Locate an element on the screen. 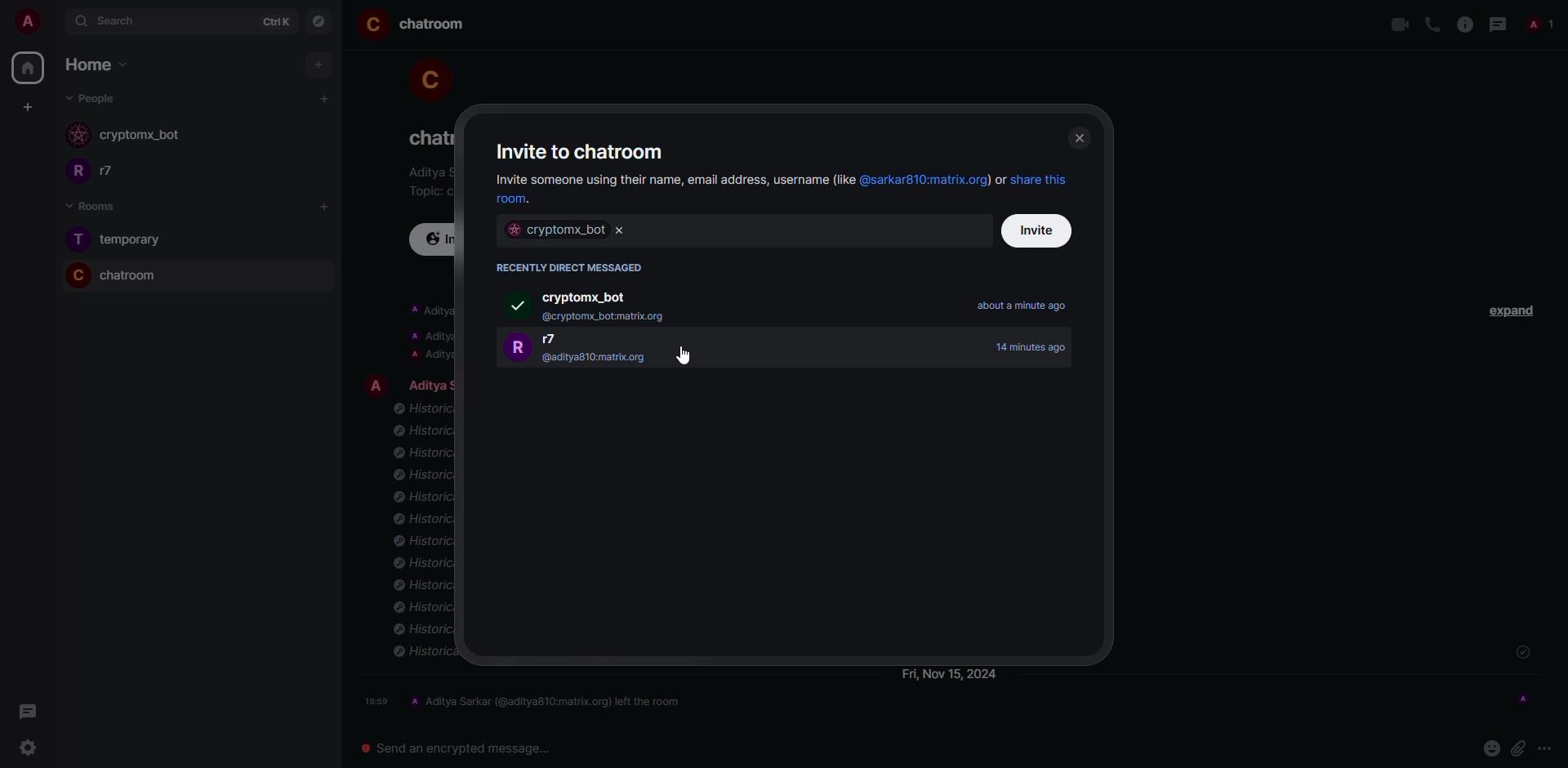  email id is located at coordinates (611, 317).